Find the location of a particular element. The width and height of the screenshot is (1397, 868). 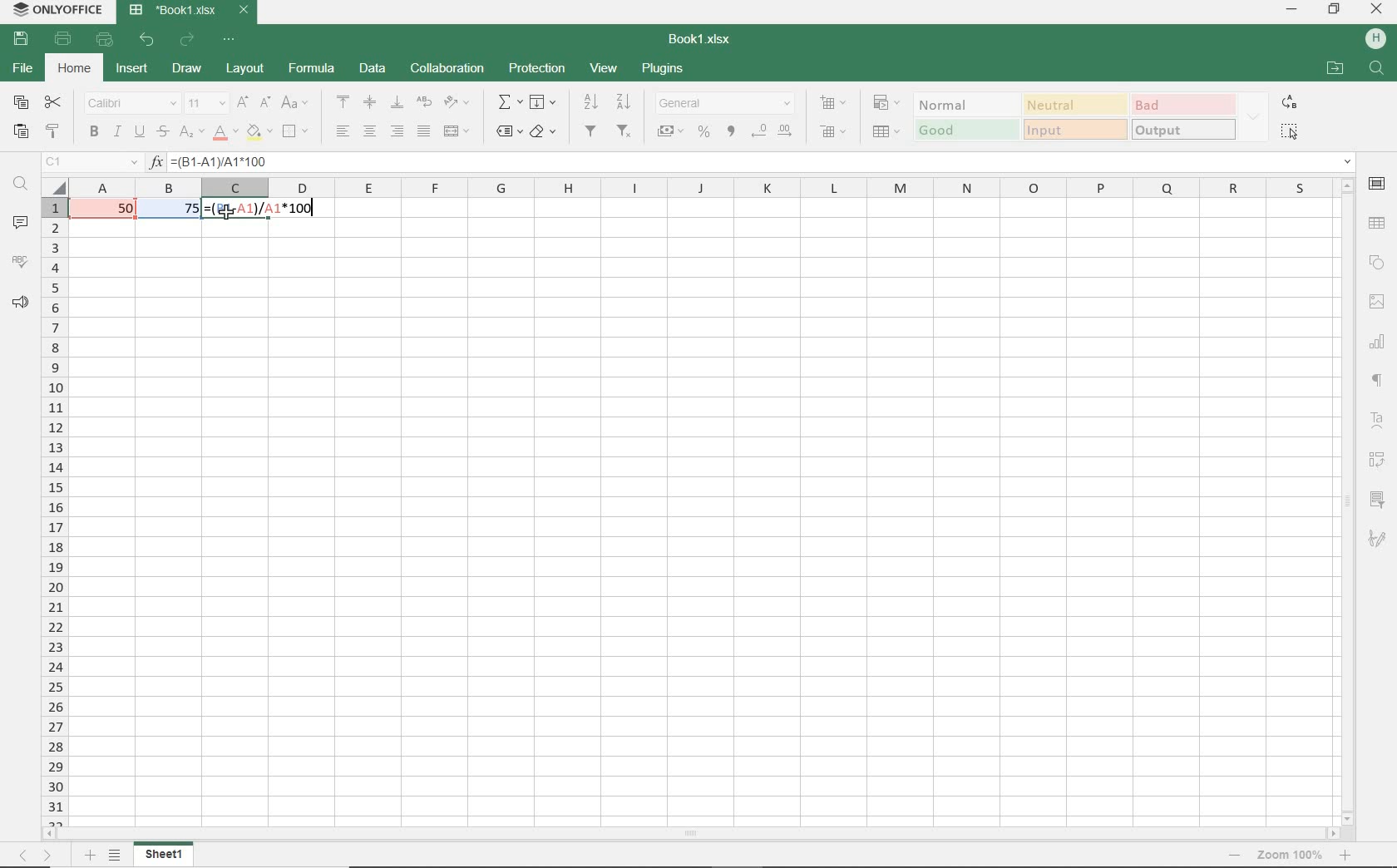

accounting style is located at coordinates (671, 131).